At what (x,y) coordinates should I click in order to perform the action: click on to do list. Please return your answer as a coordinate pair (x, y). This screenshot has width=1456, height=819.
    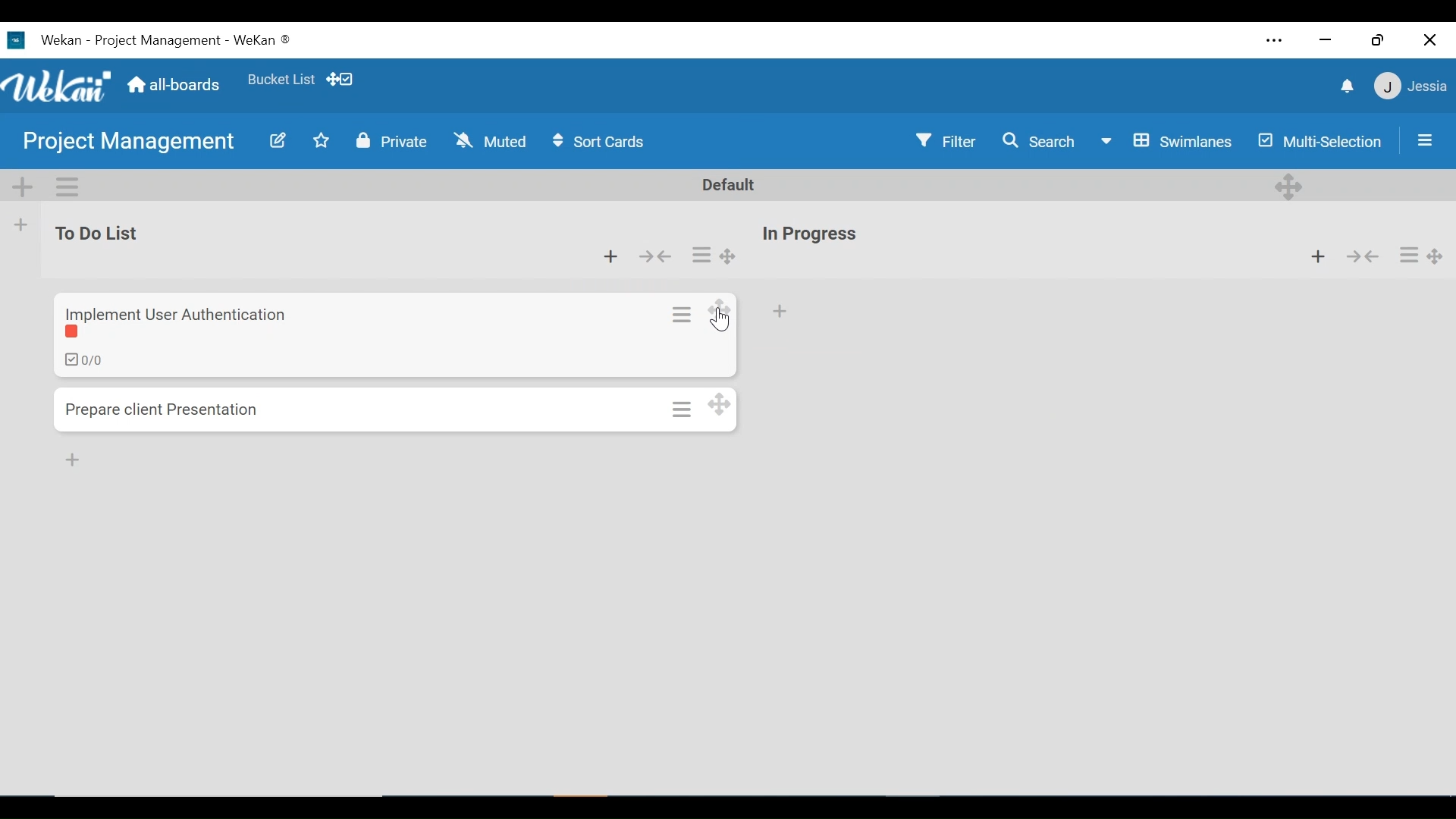
    Looking at the image, I should click on (94, 233).